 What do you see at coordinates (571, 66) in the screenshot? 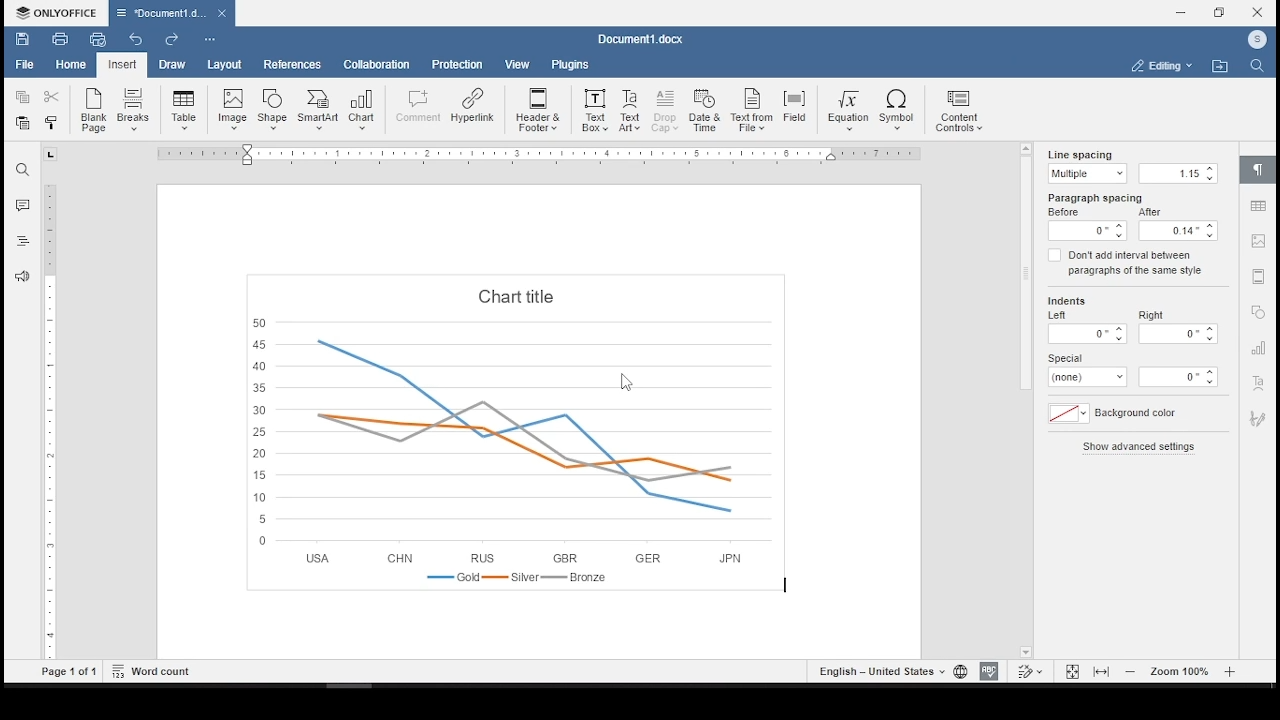
I see `plugins` at bounding box center [571, 66].